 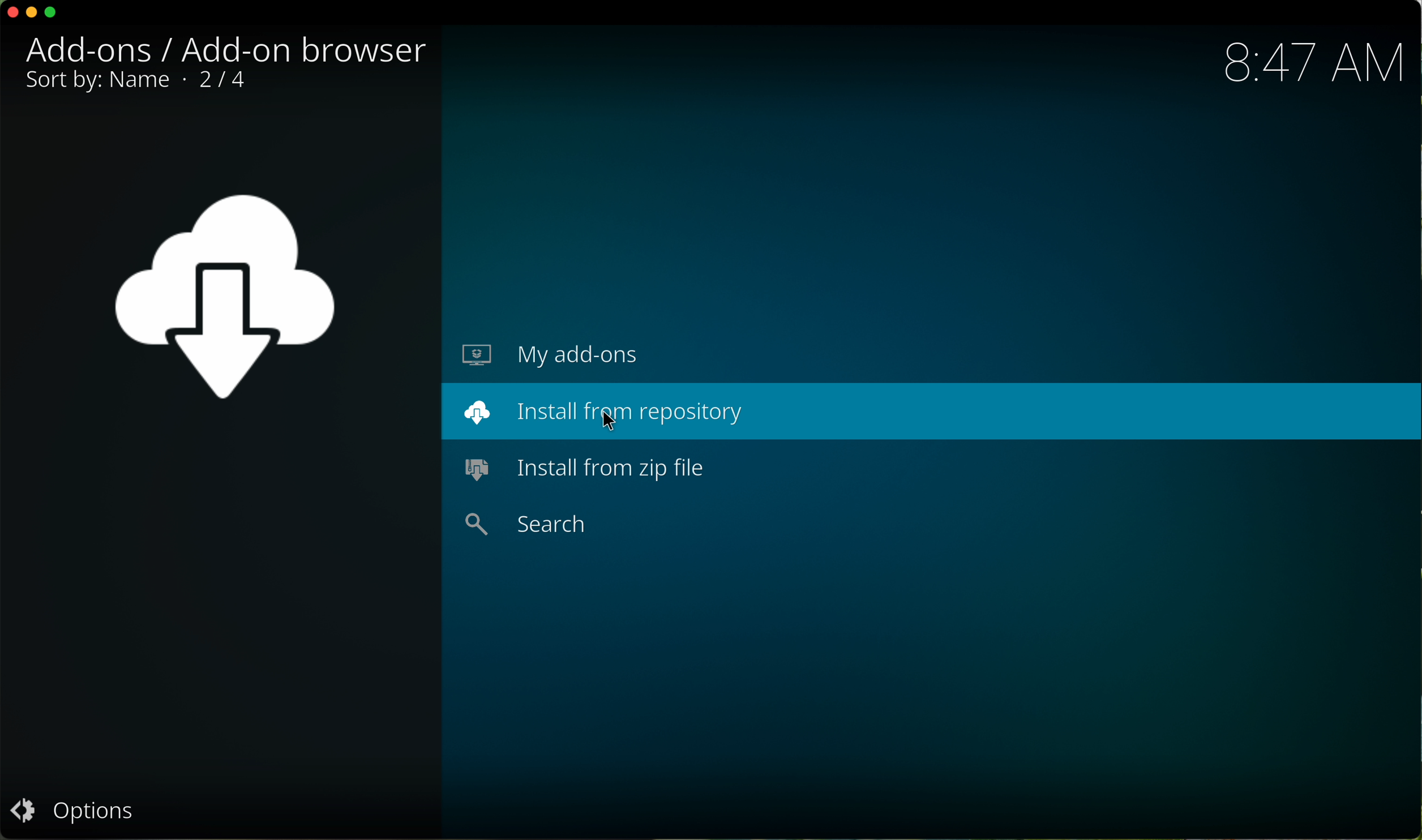 I want to click on options, so click(x=72, y=811).